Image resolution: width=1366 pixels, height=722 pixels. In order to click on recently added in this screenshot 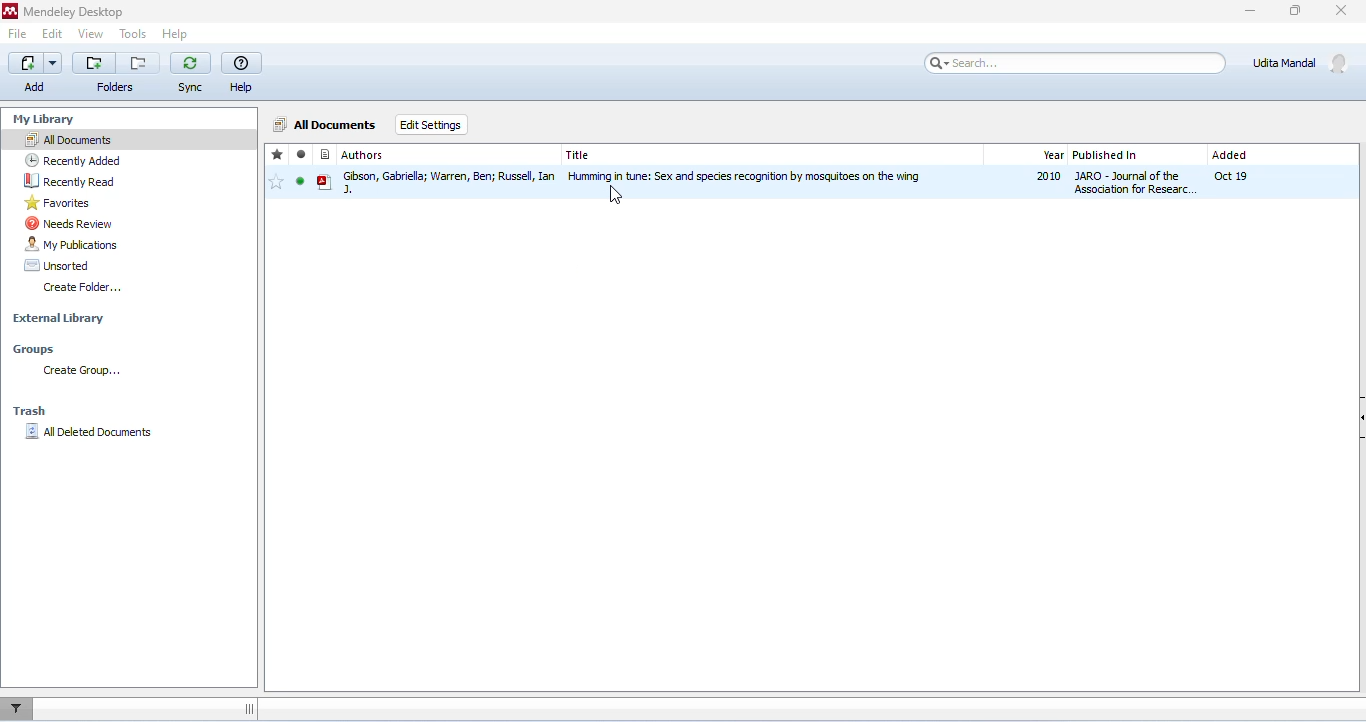, I will do `click(73, 160)`.